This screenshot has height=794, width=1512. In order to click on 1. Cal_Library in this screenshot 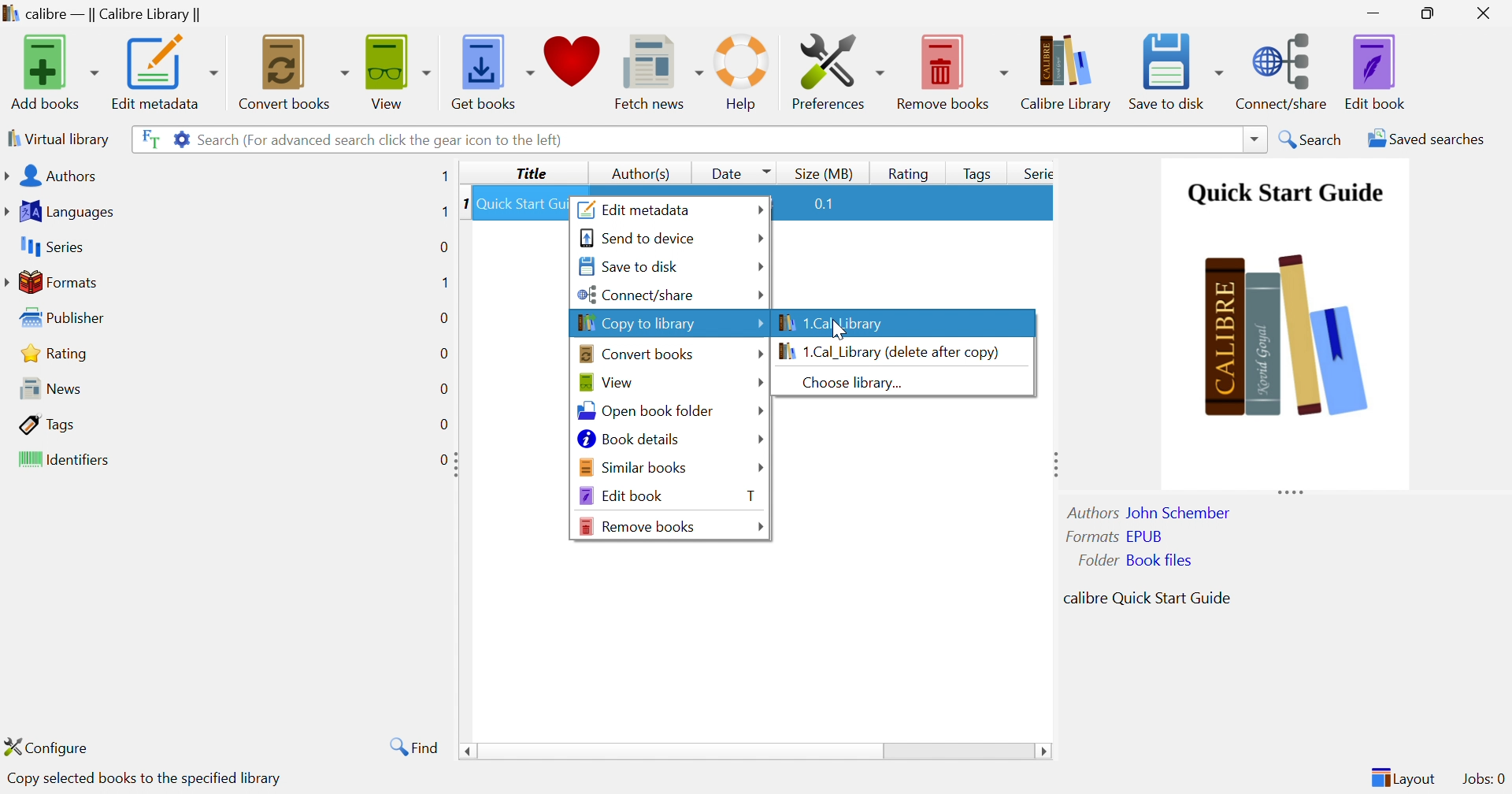, I will do `click(836, 323)`.